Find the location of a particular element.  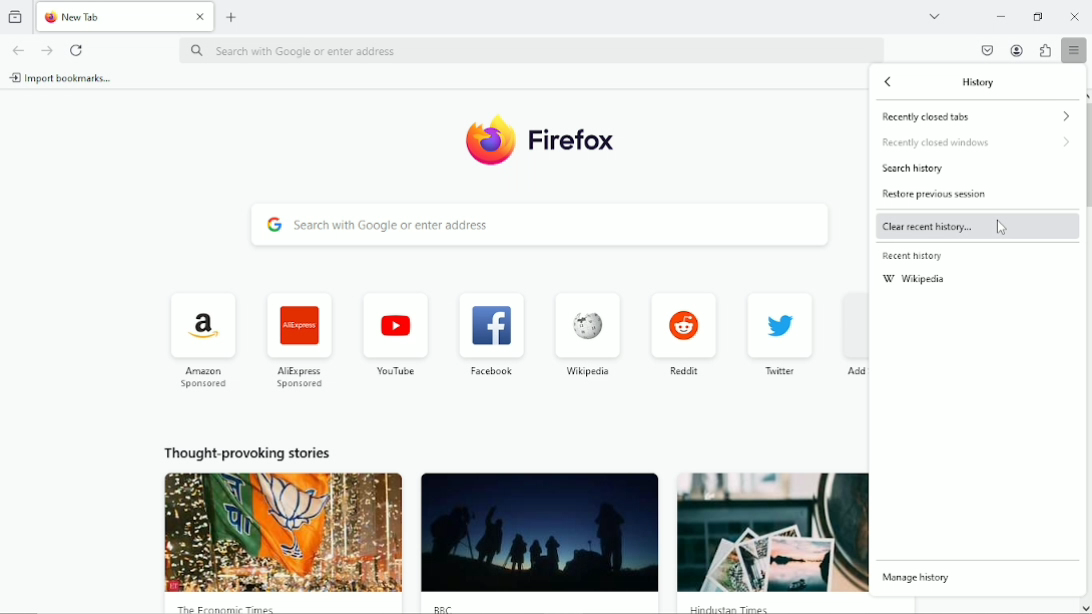

Restore previous session is located at coordinates (936, 193).